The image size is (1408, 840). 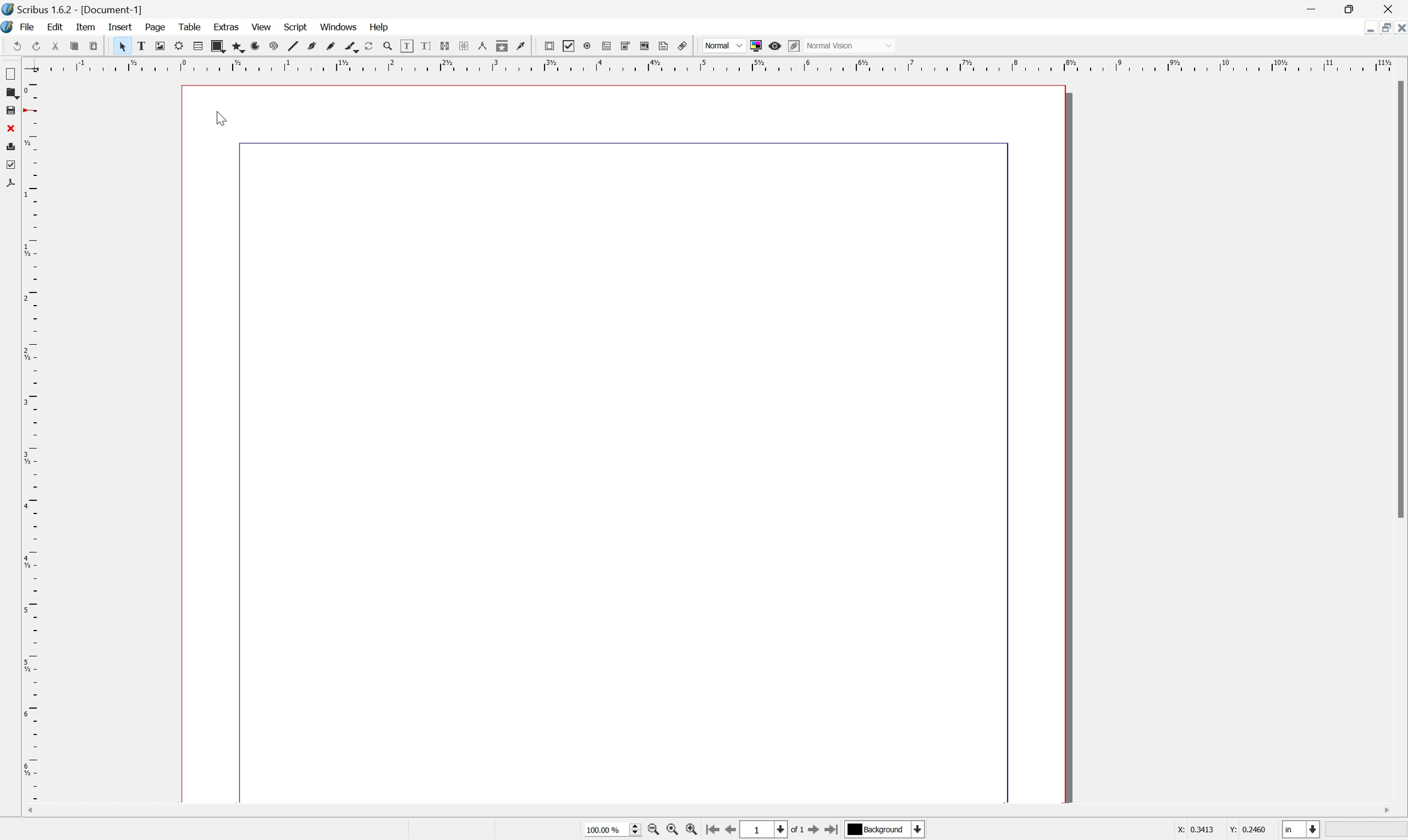 I want to click on select item, so click(x=254, y=46).